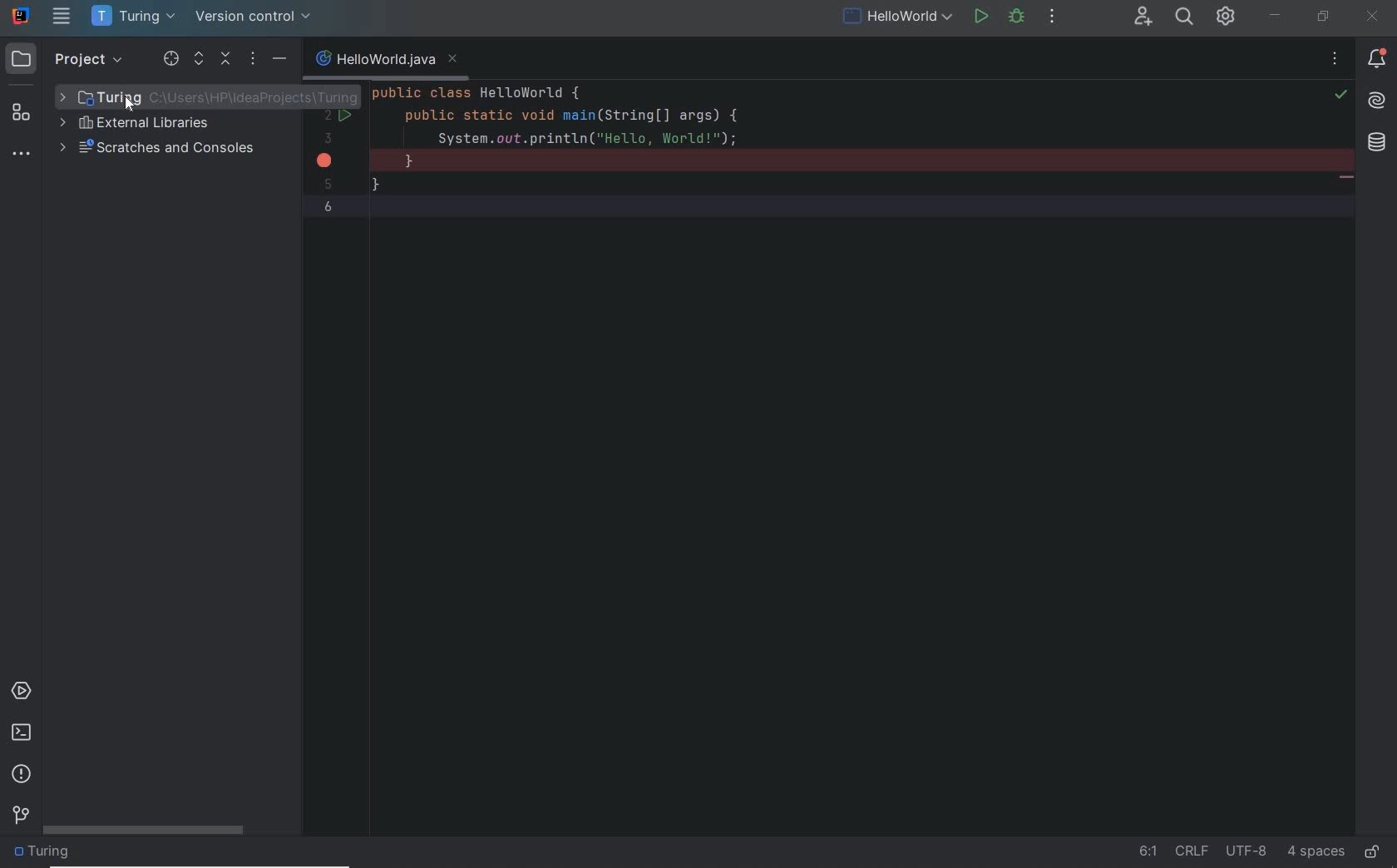 This screenshot has width=1397, height=868. What do you see at coordinates (981, 18) in the screenshot?
I see `run` at bounding box center [981, 18].